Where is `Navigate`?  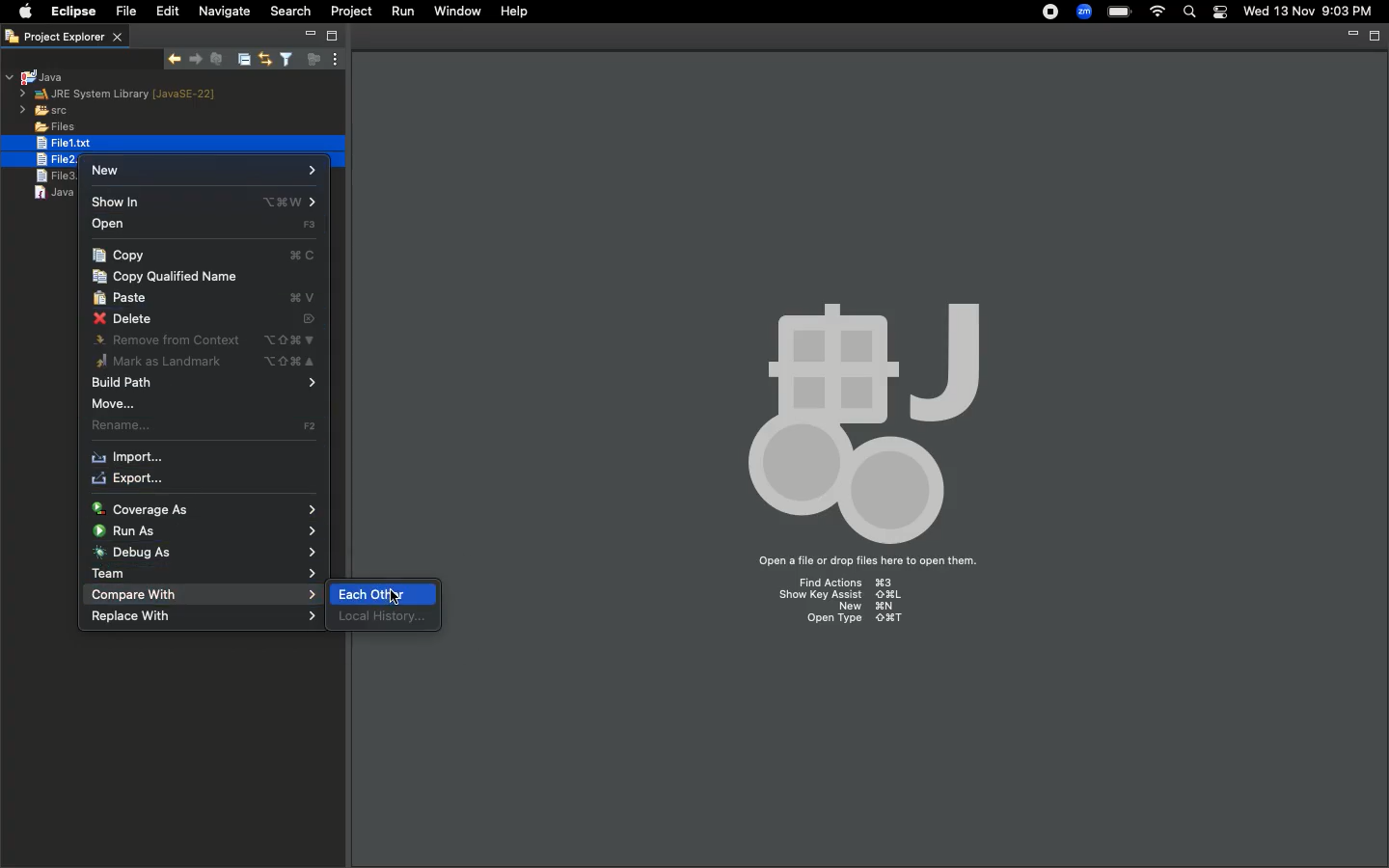
Navigate is located at coordinates (225, 12).